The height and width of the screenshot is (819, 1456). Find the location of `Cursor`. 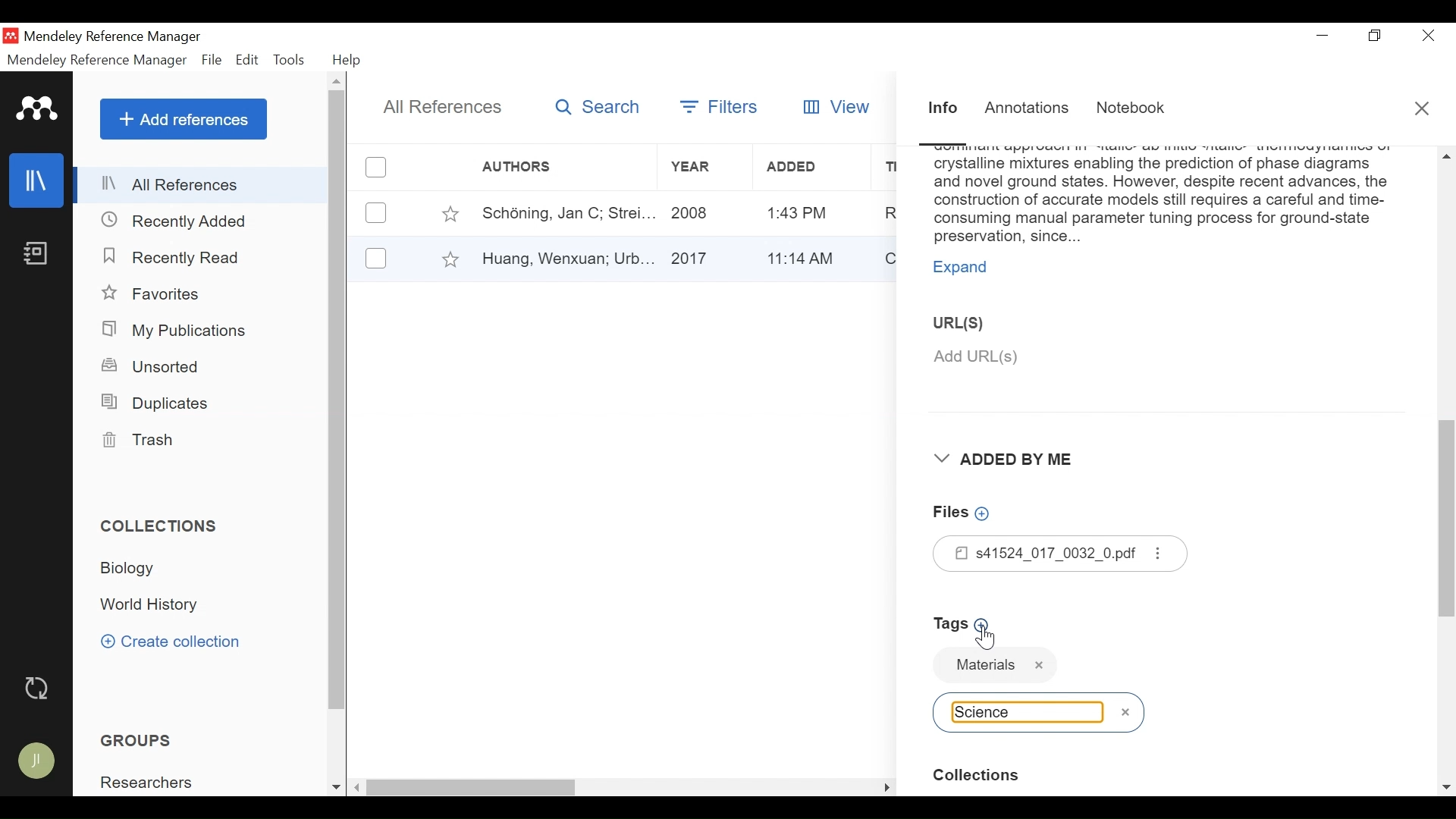

Cursor is located at coordinates (984, 636).